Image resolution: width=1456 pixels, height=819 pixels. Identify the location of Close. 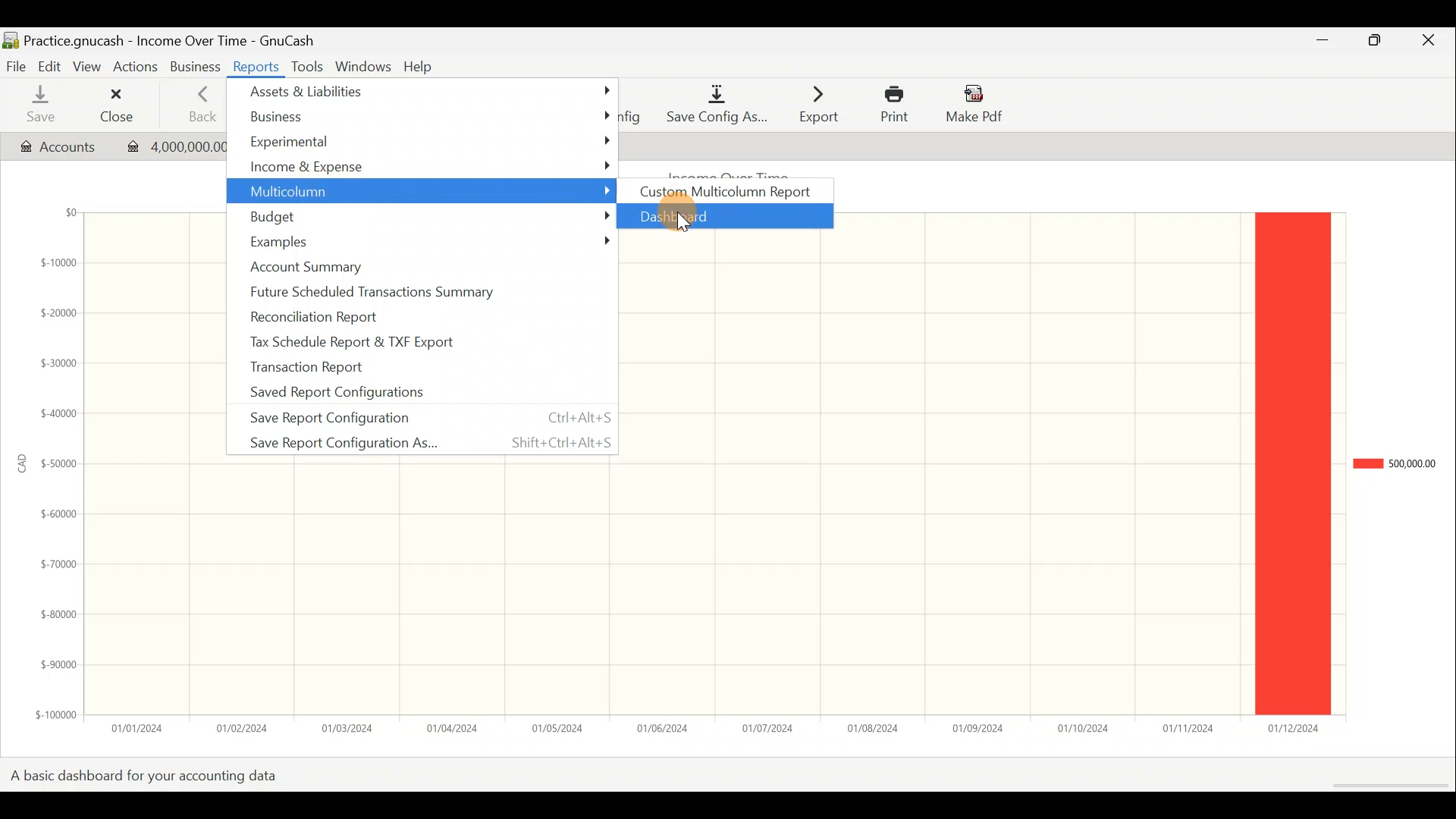
(1429, 42).